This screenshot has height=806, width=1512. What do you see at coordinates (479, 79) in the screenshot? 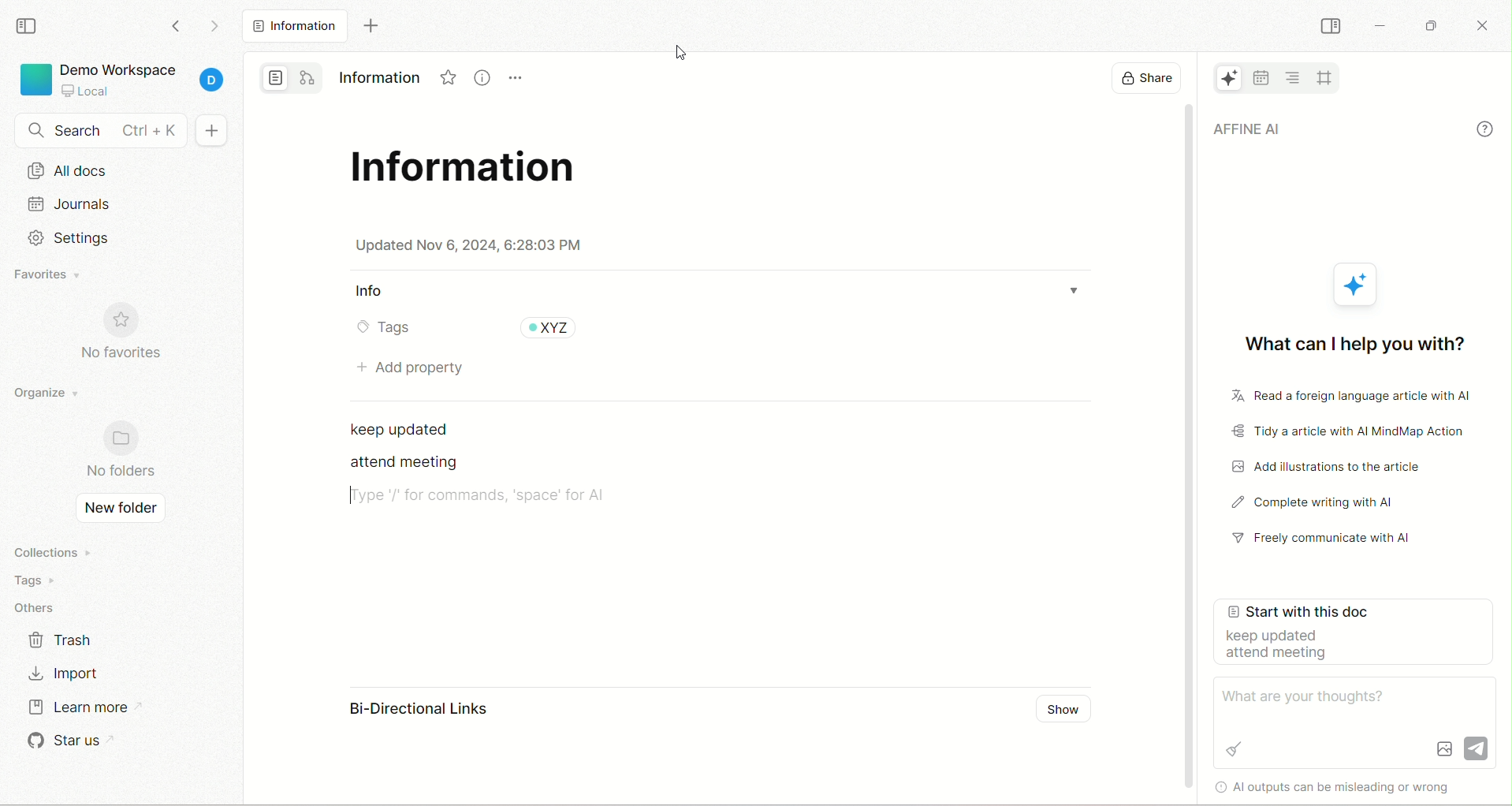
I see `Information icon` at bounding box center [479, 79].